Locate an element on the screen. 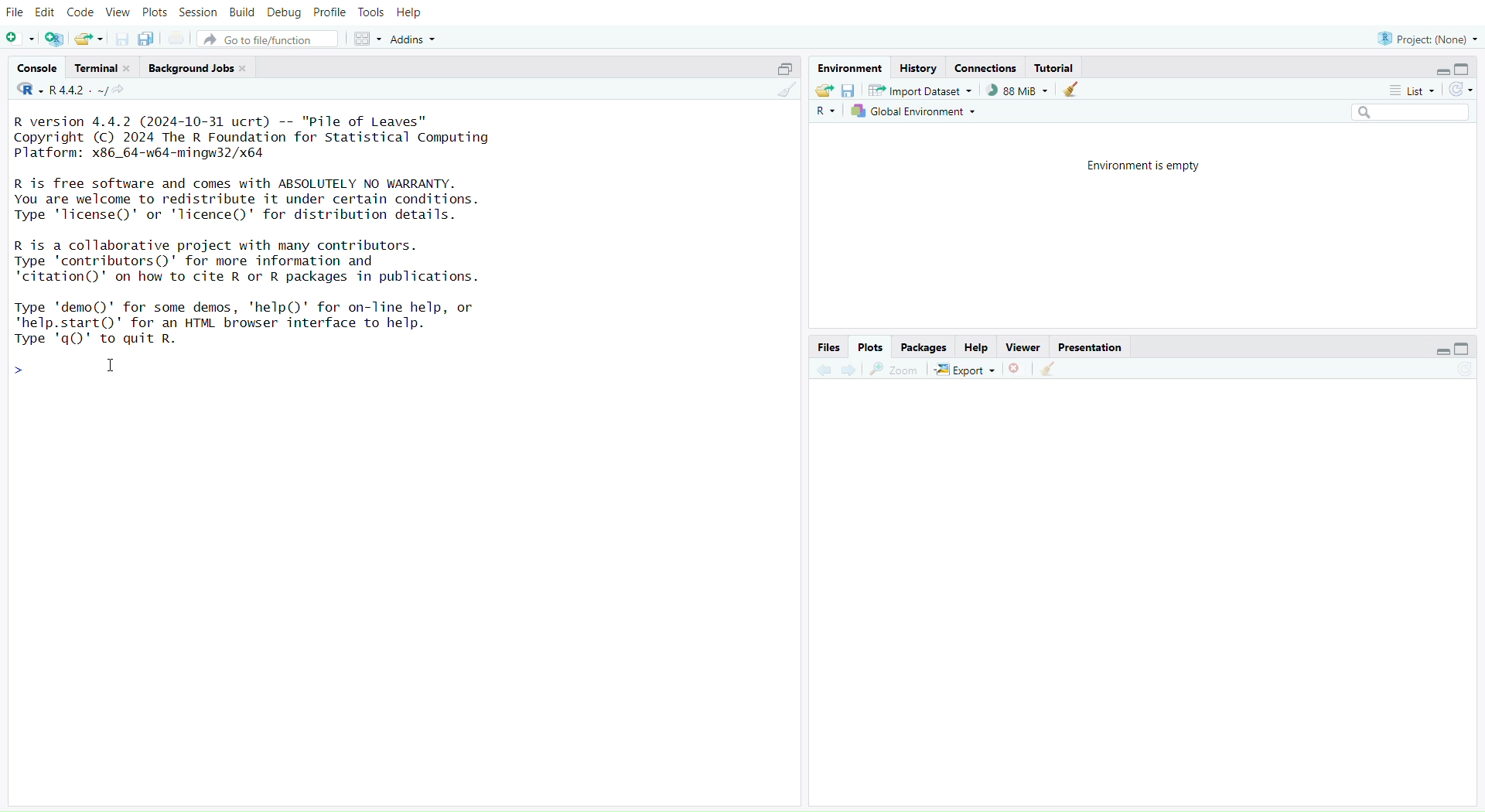  help is located at coordinates (976, 347).